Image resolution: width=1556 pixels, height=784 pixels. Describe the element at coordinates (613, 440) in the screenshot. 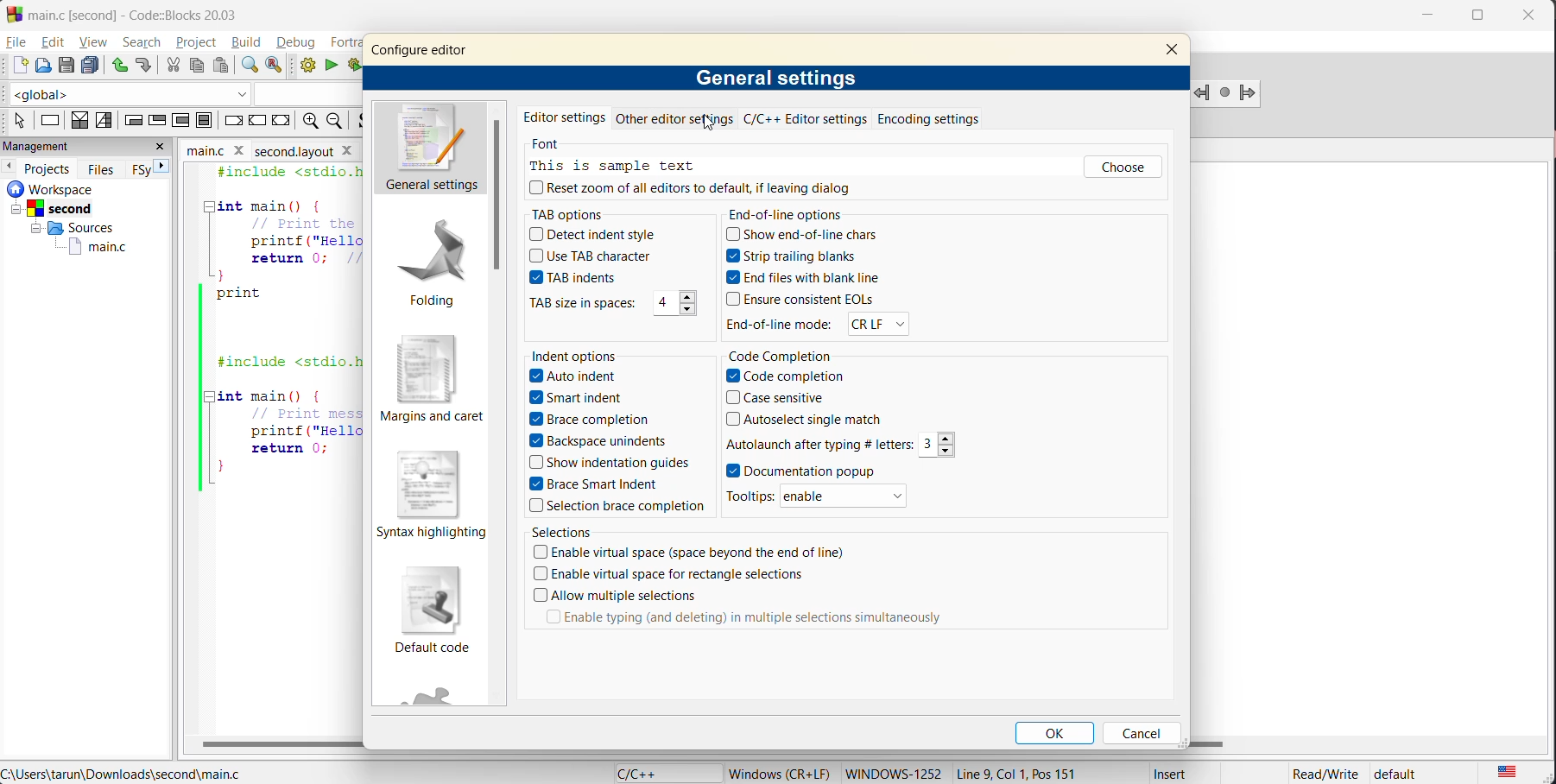

I see `Backspace unindent` at that location.